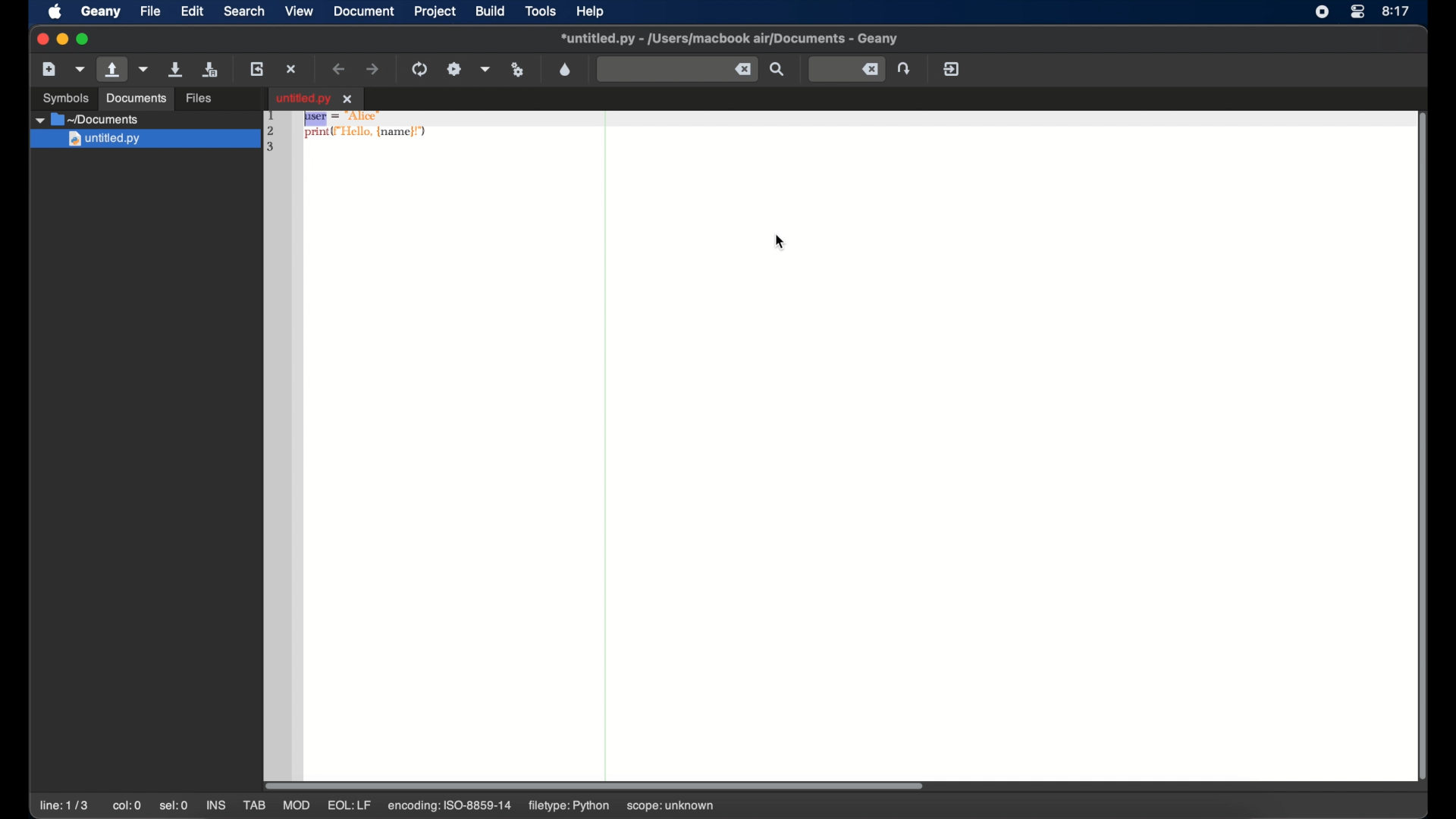  What do you see at coordinates (101, 11) in the screenshot?
I see `geany` at bounding box center [101, 11].